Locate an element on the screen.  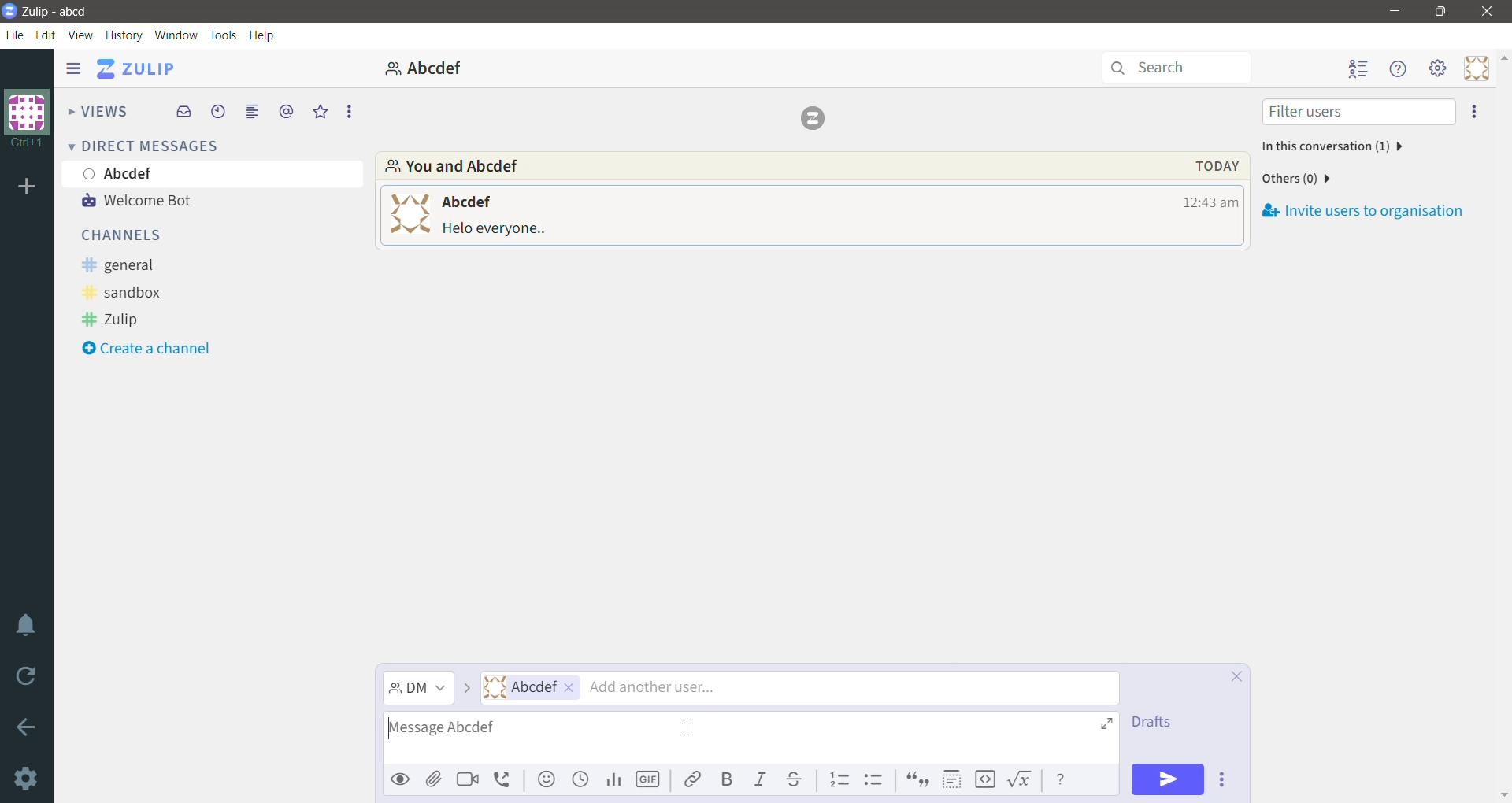
Inbox is located at coordinates (183, 113).